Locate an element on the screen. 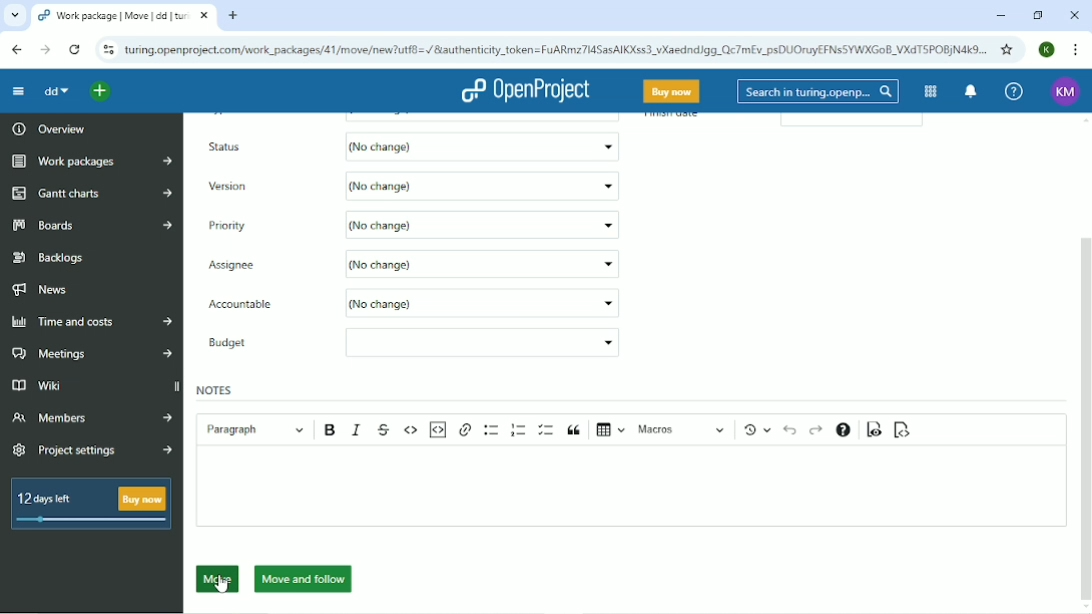 Image resolution: width=1092 pixels, height=614 pixels. K is located at coordinates (1048, 49).